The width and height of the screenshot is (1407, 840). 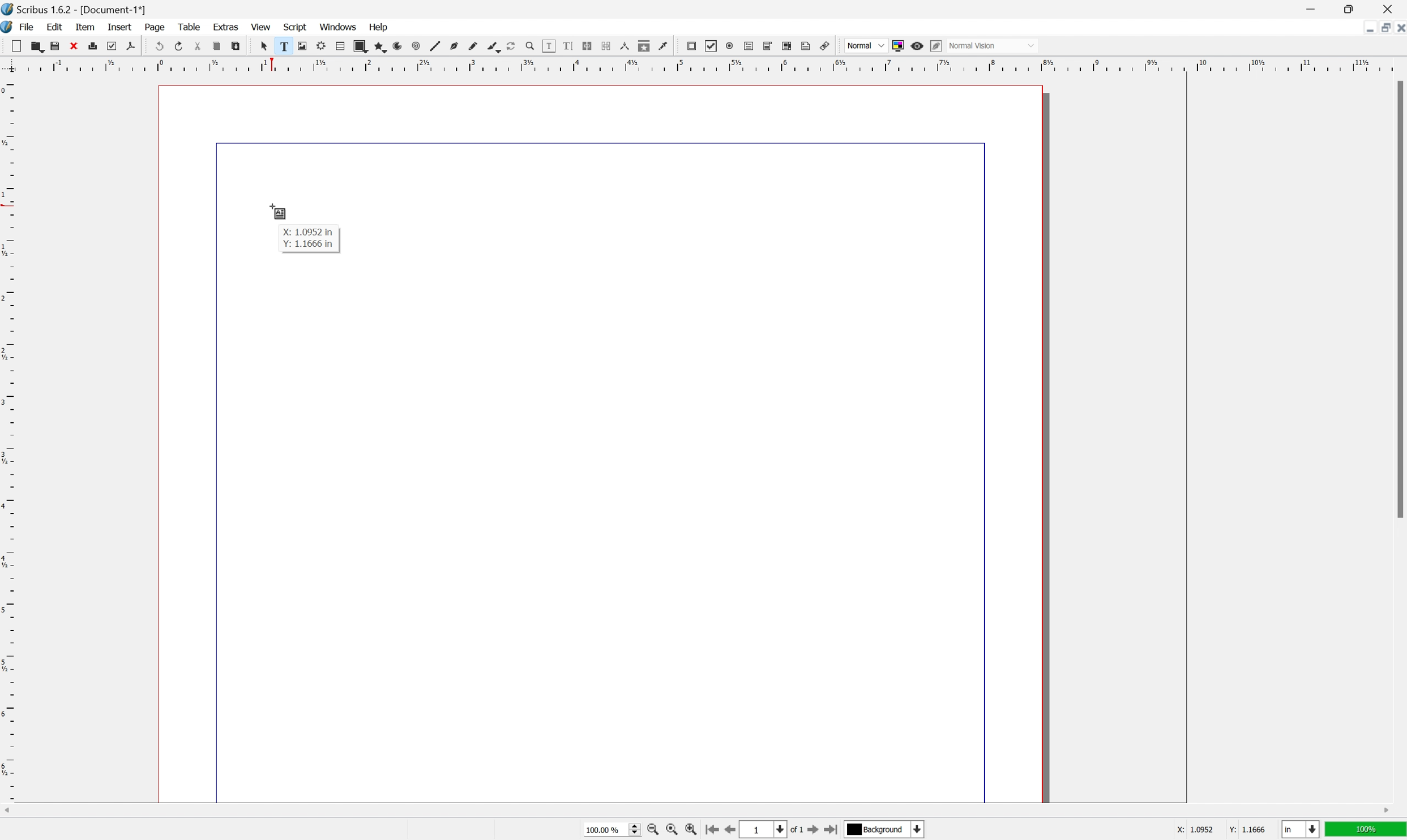 What do you see at coordinates (1353, 8) in the screenshot?
I see `restore down` at bounding box center [1353, 8].